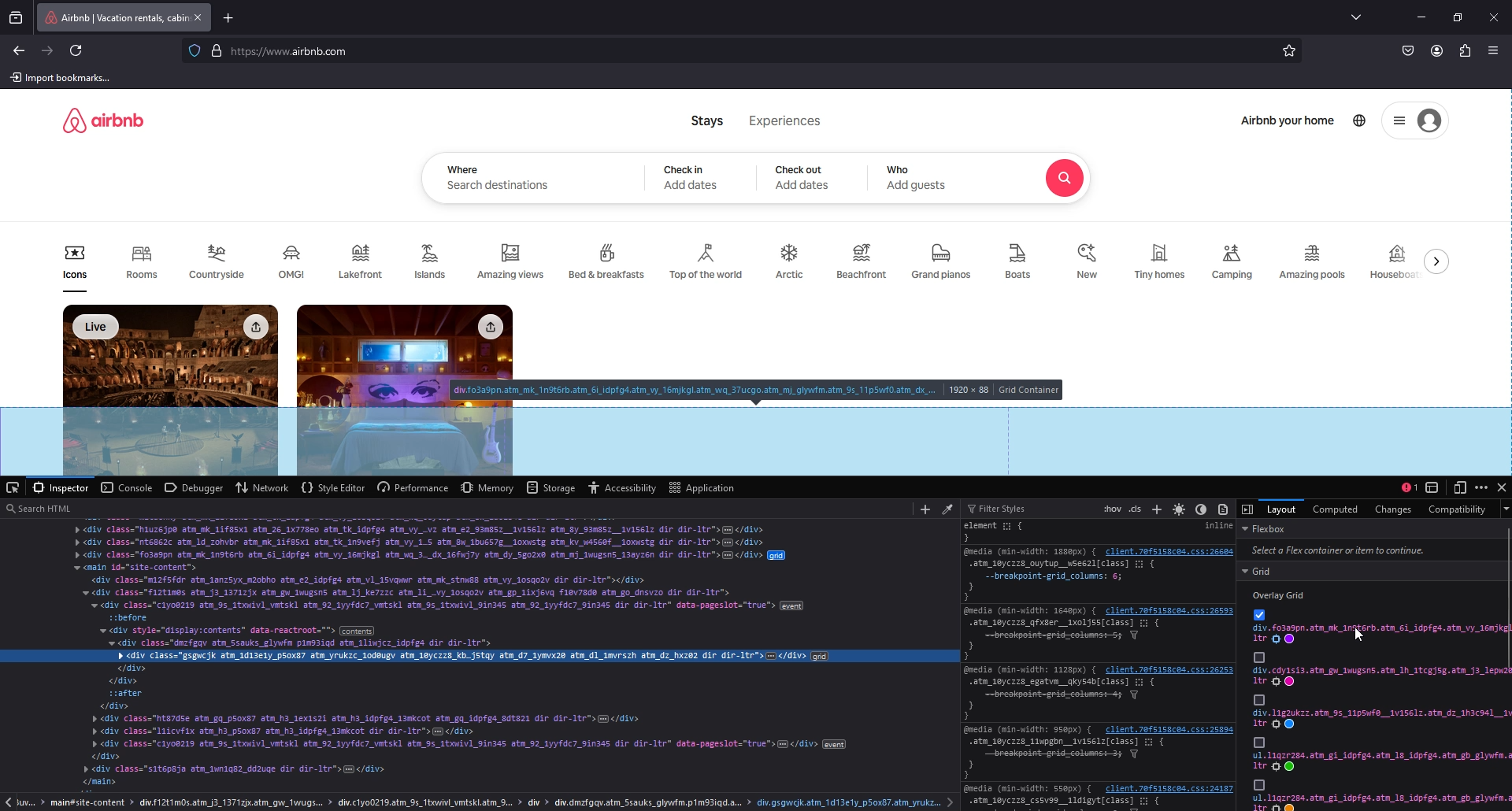  I want to click on Search destinations, so click(500, 187).